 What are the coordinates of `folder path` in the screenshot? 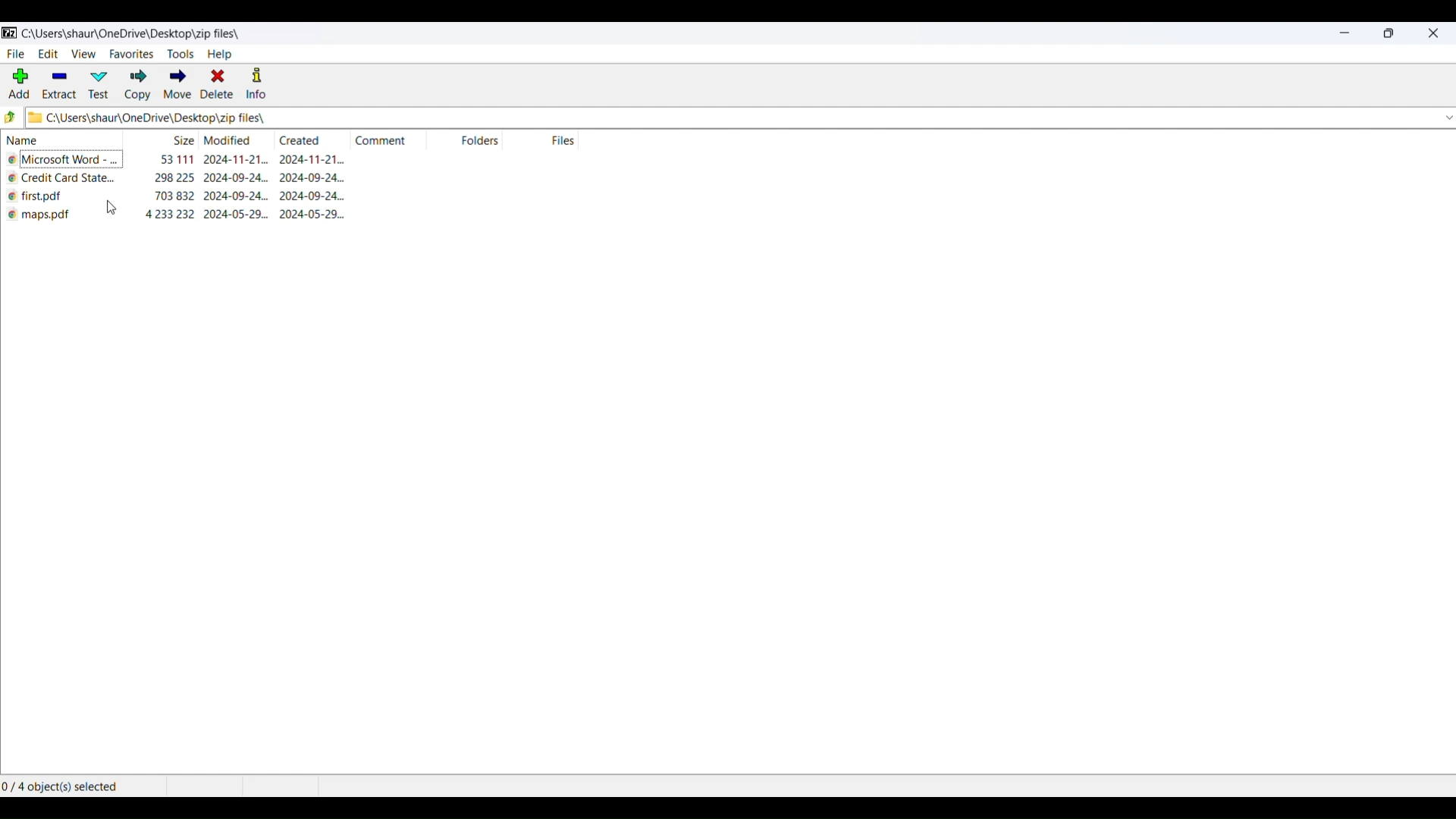 It's located at (131, 33).